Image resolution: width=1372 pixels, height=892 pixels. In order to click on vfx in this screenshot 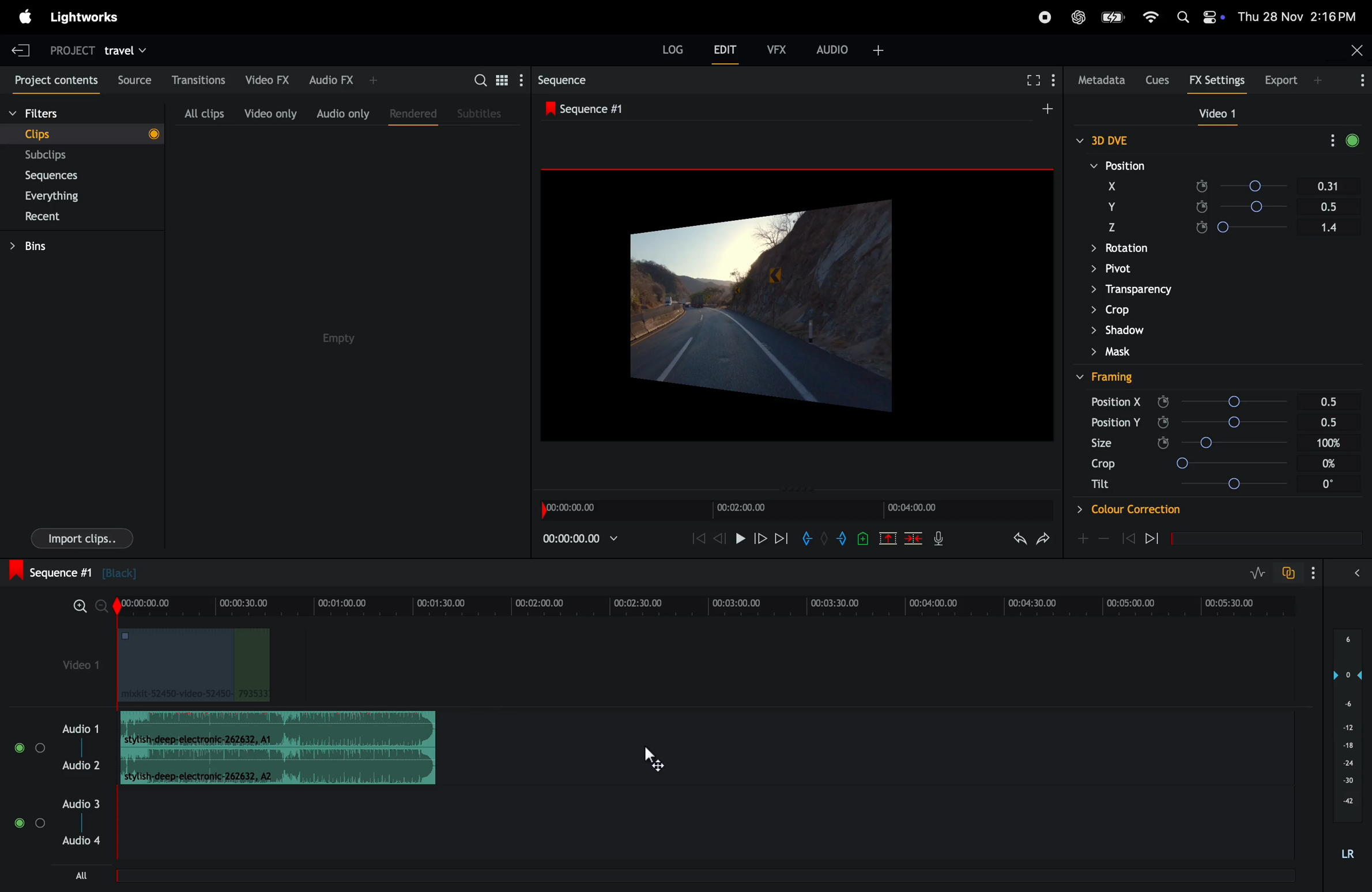, I will do `click(777, 48)`.